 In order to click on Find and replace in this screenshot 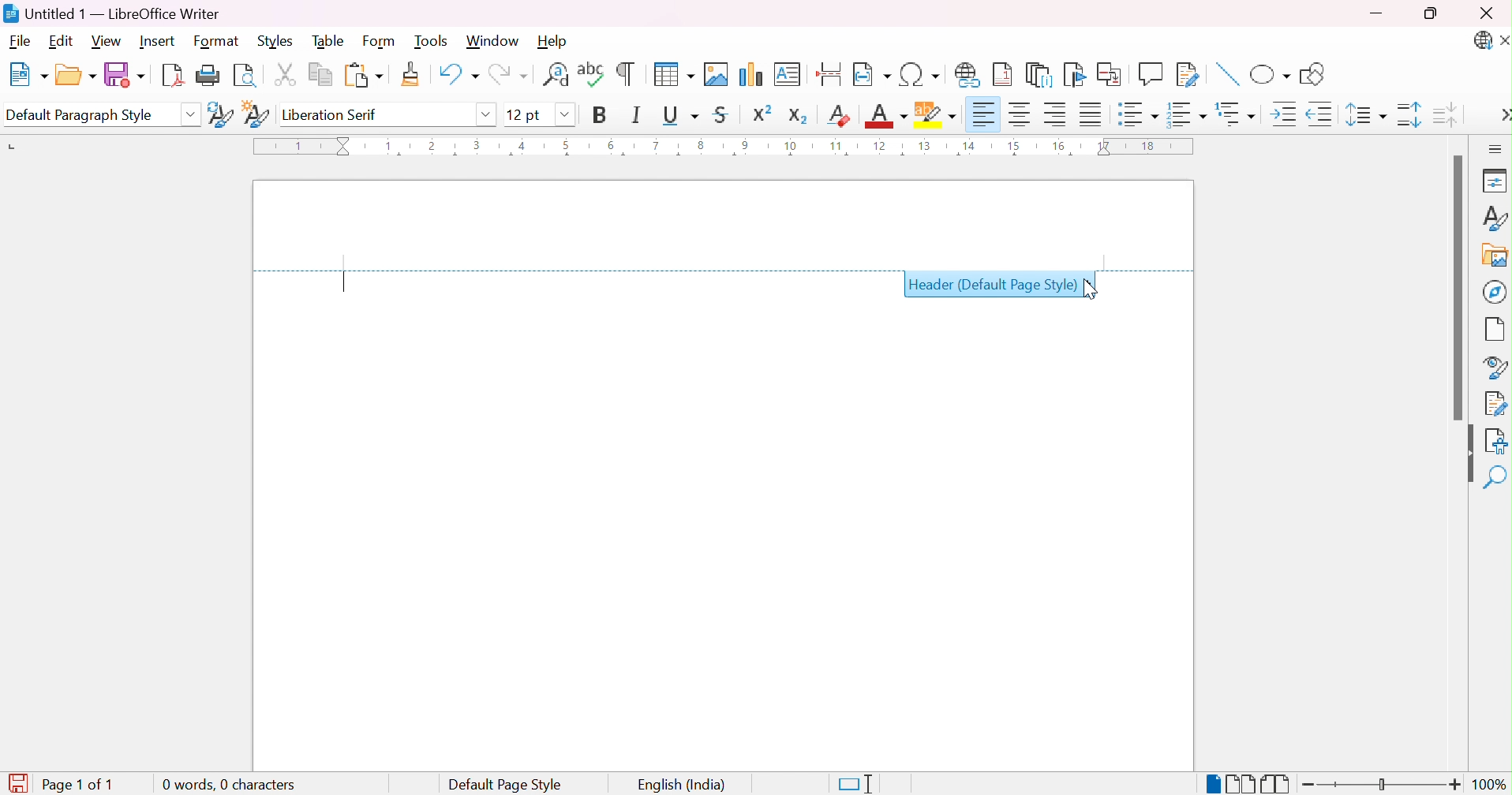, I will do `click(555, 72)`.